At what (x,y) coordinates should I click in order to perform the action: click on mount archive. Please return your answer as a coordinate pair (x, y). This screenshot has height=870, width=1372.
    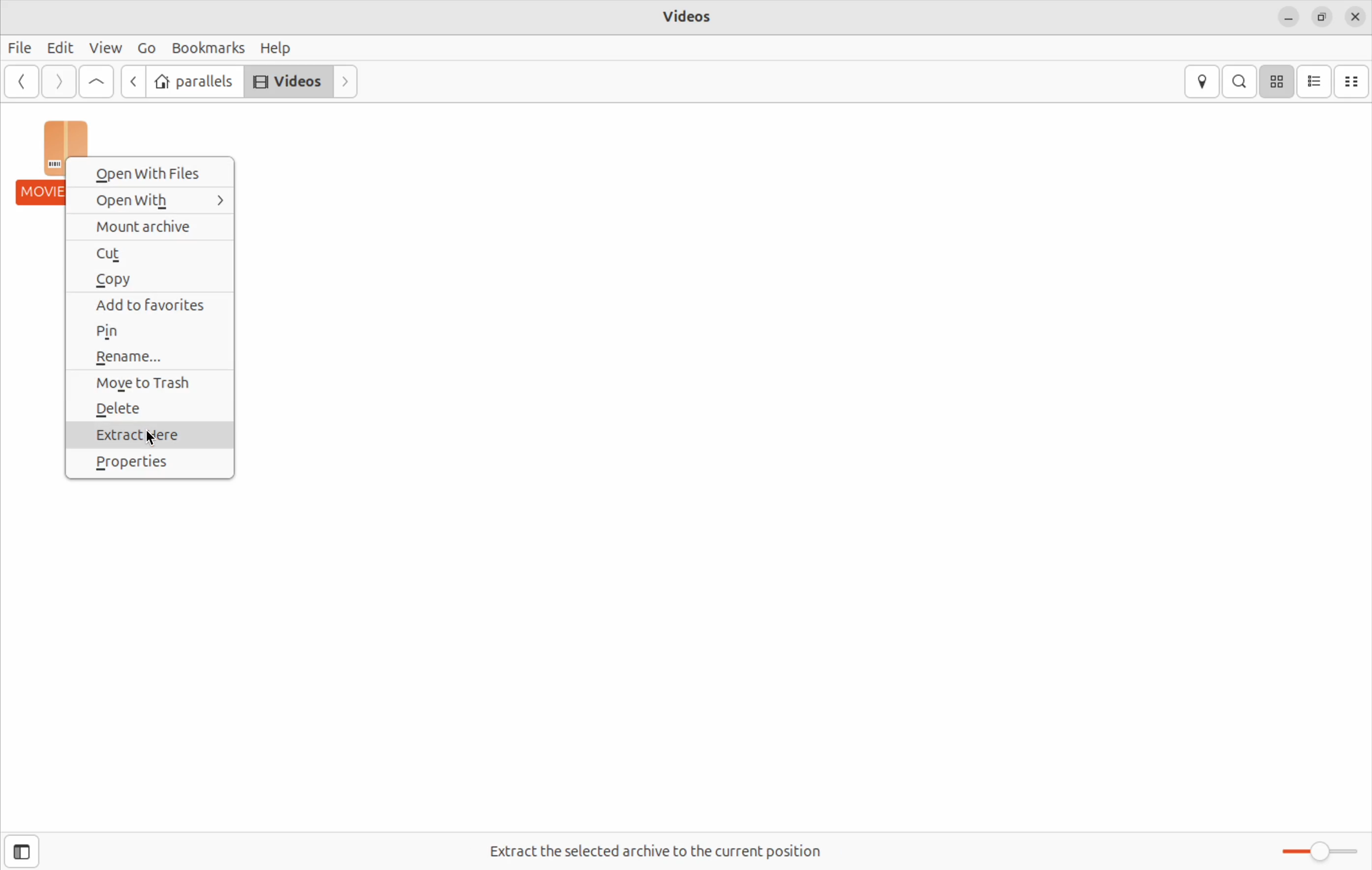
    Looking at the image, I should click on (154, 225).